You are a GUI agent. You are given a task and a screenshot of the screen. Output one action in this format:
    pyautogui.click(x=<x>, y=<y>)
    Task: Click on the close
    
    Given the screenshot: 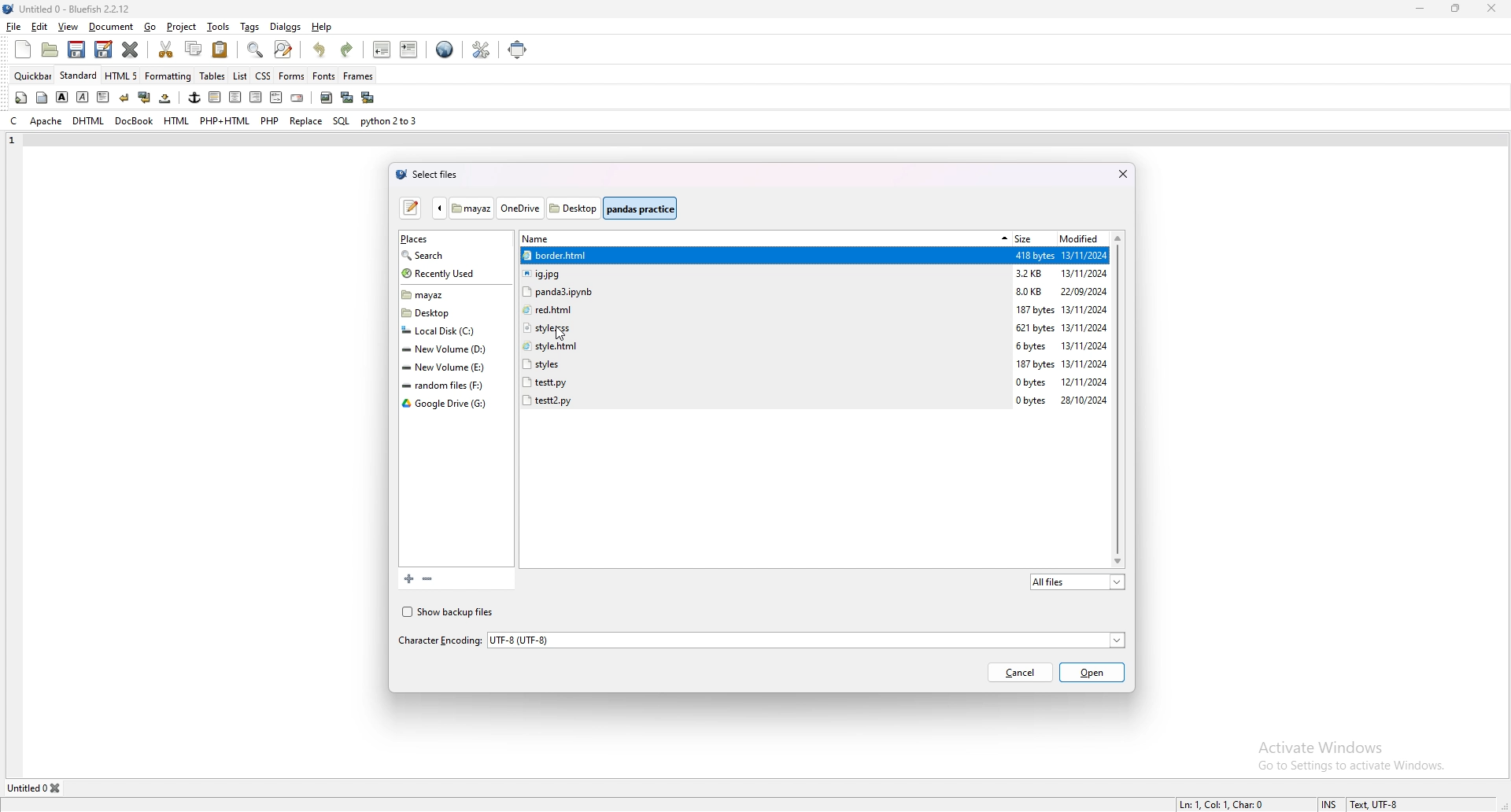 What is the action you would take?
    pyautogui.click(x=1491, y=9)
    